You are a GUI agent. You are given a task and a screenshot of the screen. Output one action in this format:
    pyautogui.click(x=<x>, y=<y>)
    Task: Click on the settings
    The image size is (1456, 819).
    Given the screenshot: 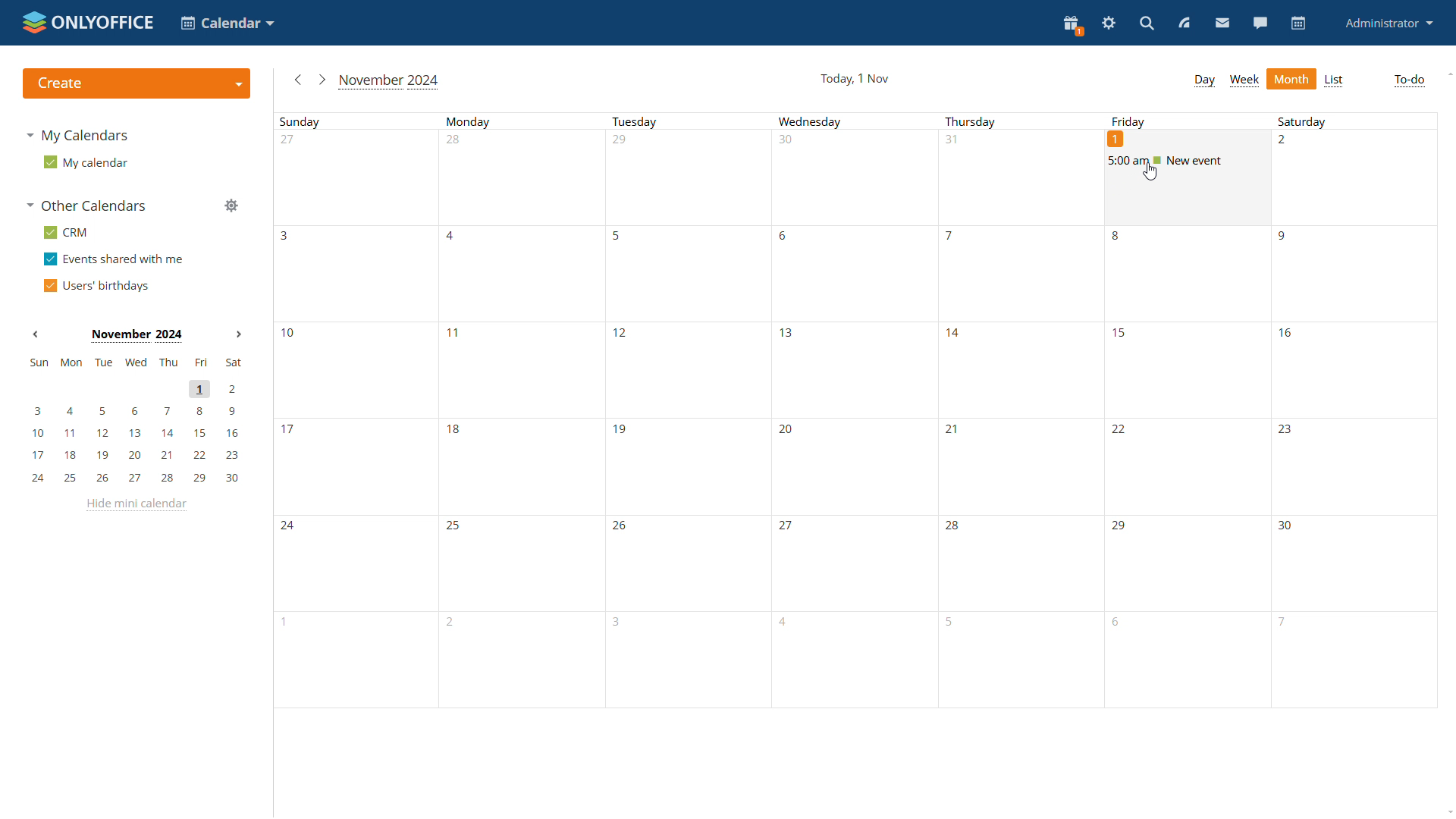 What is the action you would take?
    pyautogui.click(x=1107, y=24)
    